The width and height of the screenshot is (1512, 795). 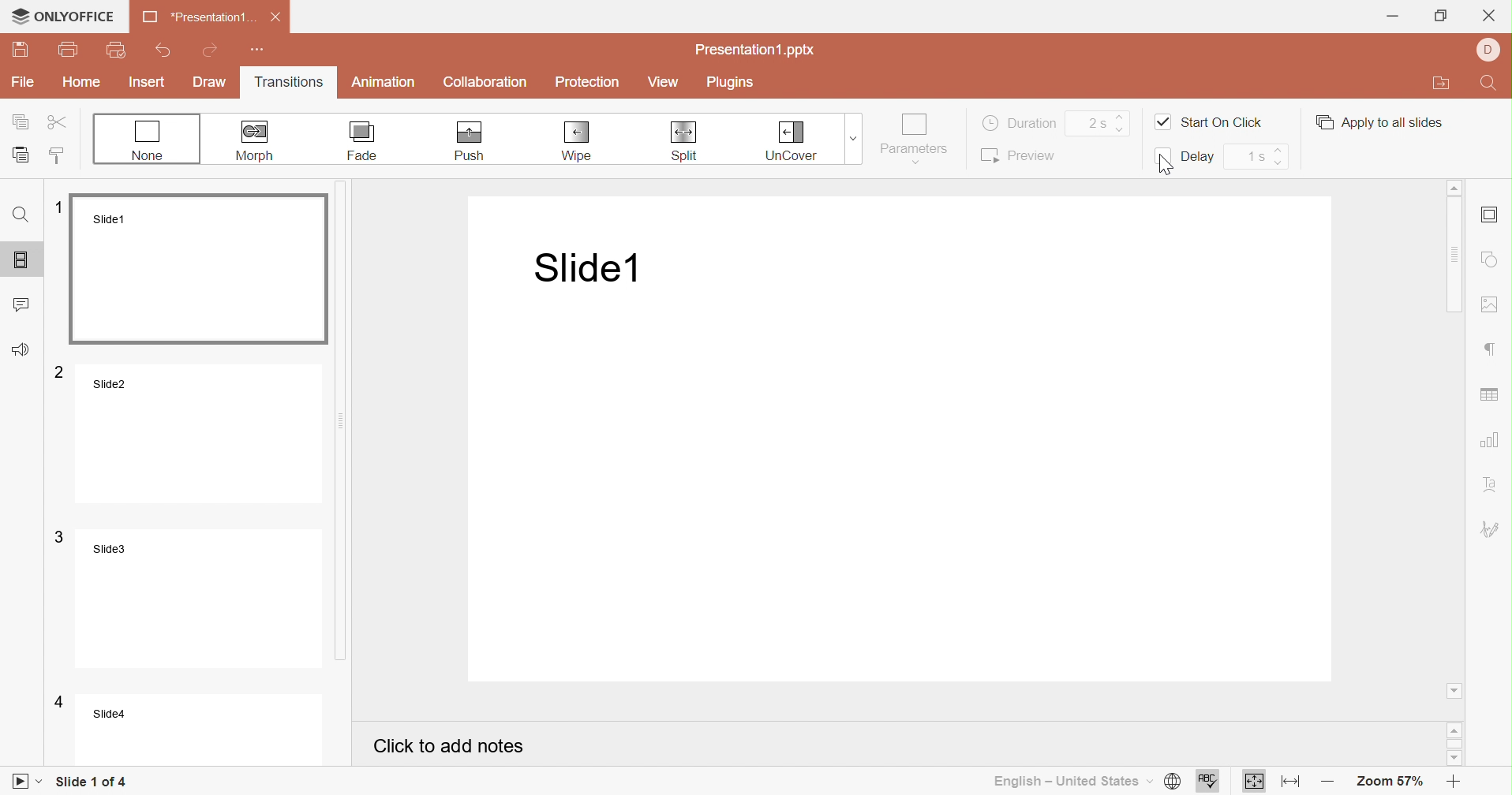 I want to click on ONLYOFFICE, so click(x=61, y=13).